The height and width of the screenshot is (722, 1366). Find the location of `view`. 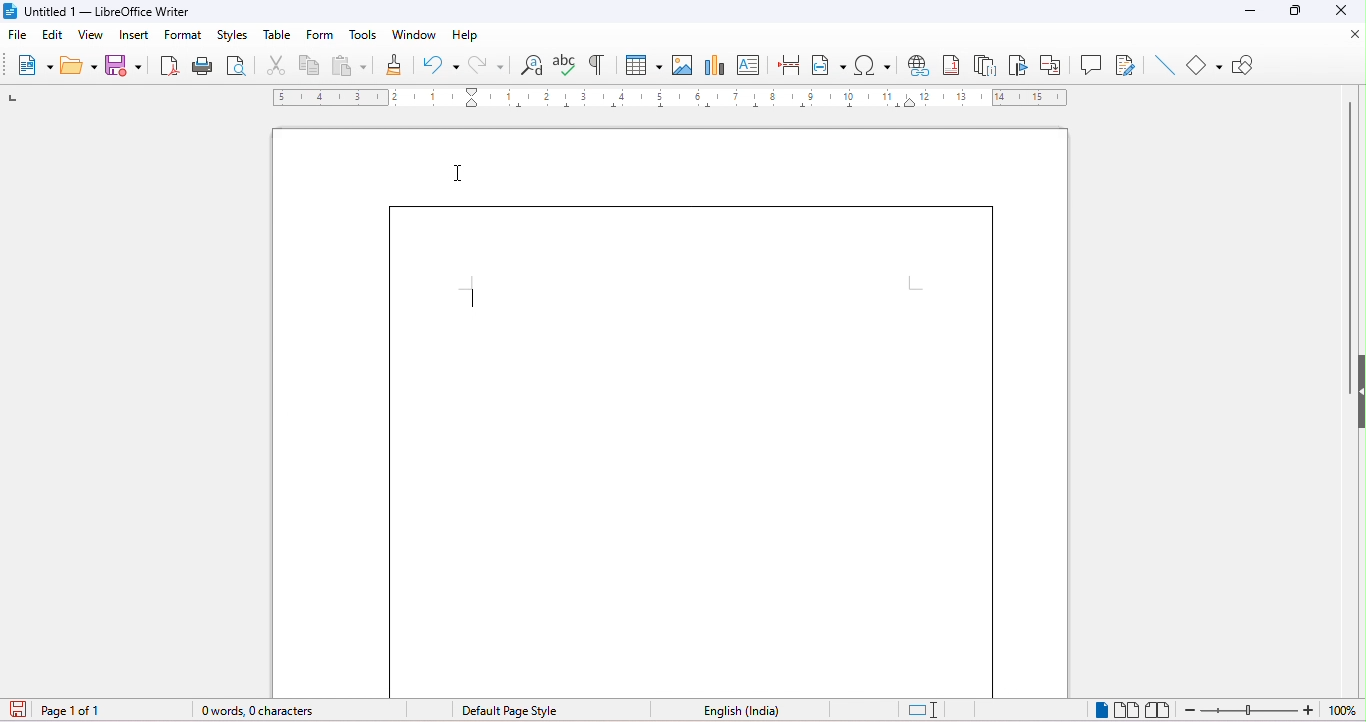

view is located at coordinates (97, 34).